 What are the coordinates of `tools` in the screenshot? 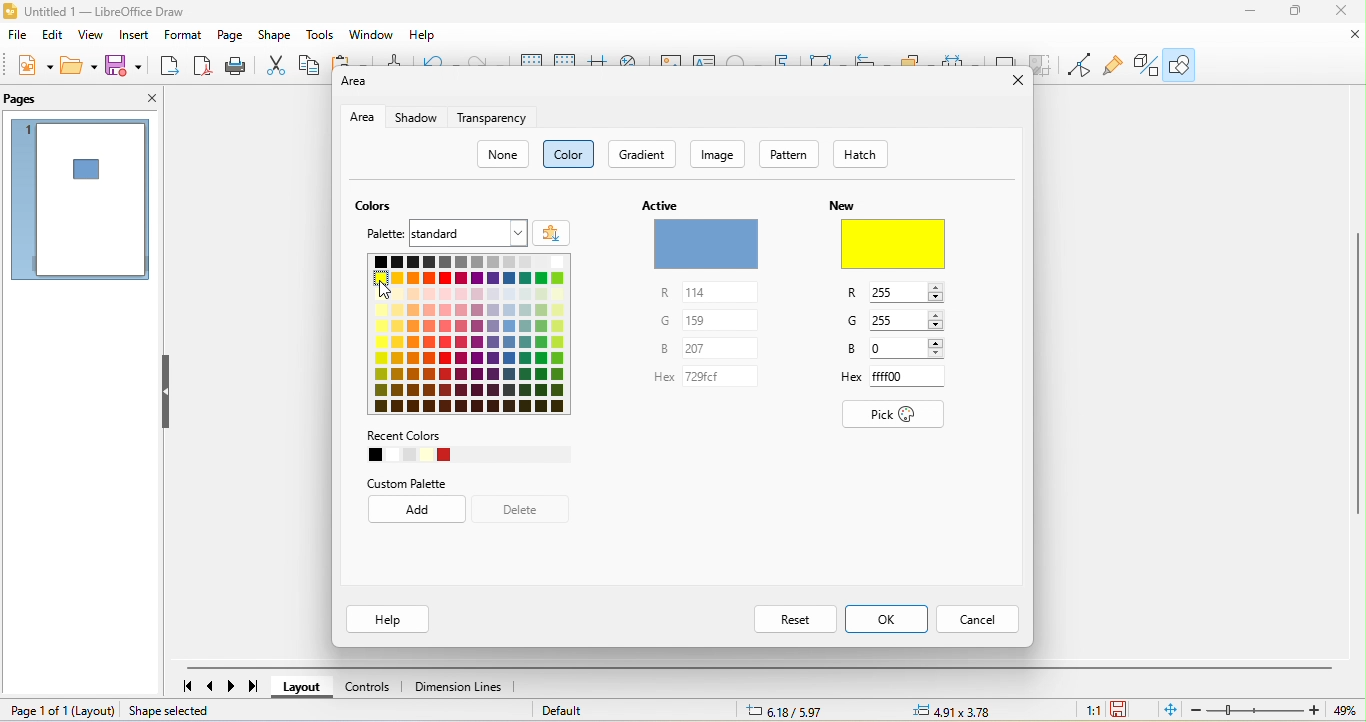 It's located at (320, 37).